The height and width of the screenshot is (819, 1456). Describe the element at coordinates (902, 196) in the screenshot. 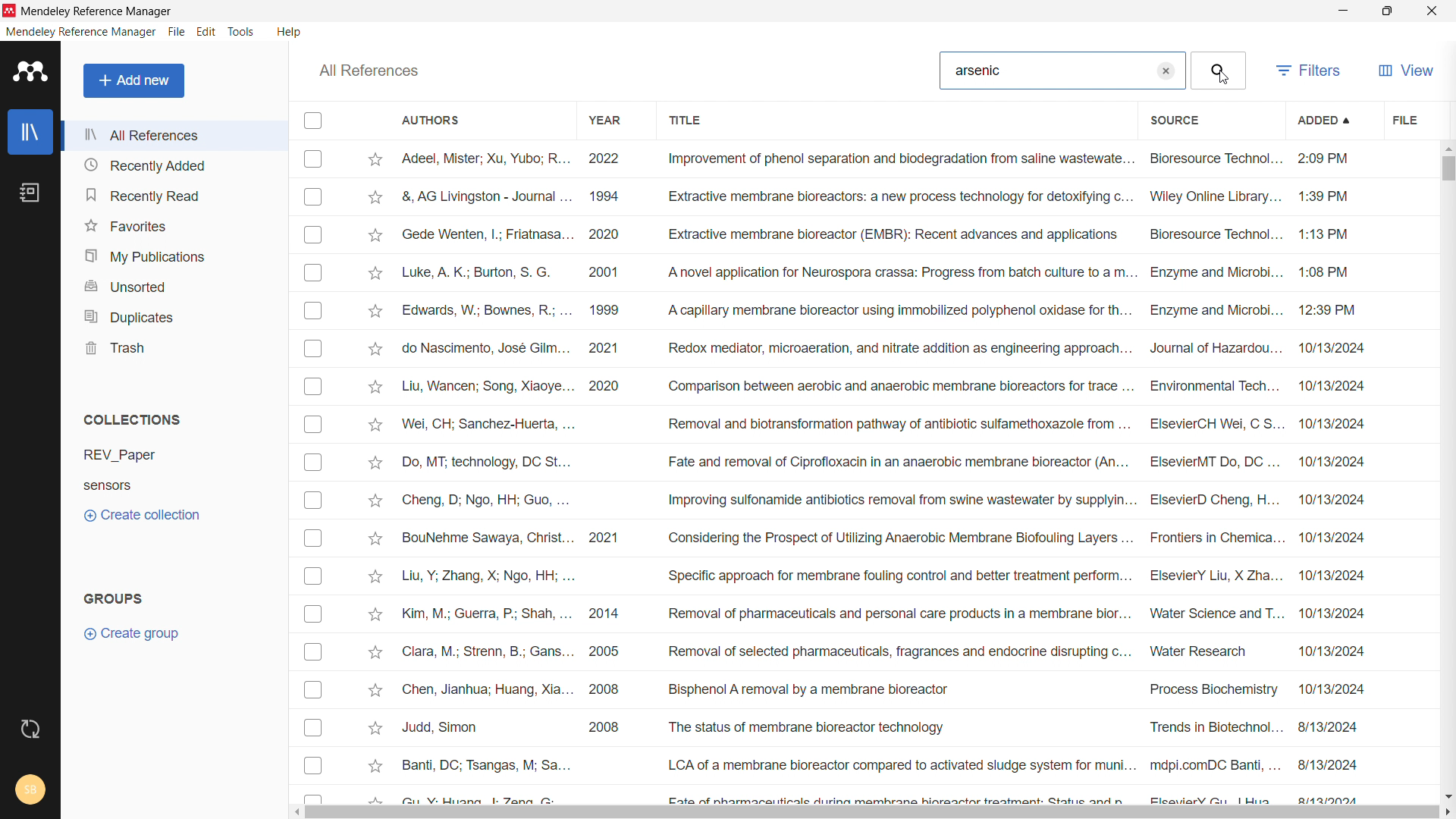

I see `&, AG Livingston - Journal ... 1994 Extractive membrane bioreactors: a new process technology for detoxifying c... Wiley Online Library... 1:39 PM` at that location.